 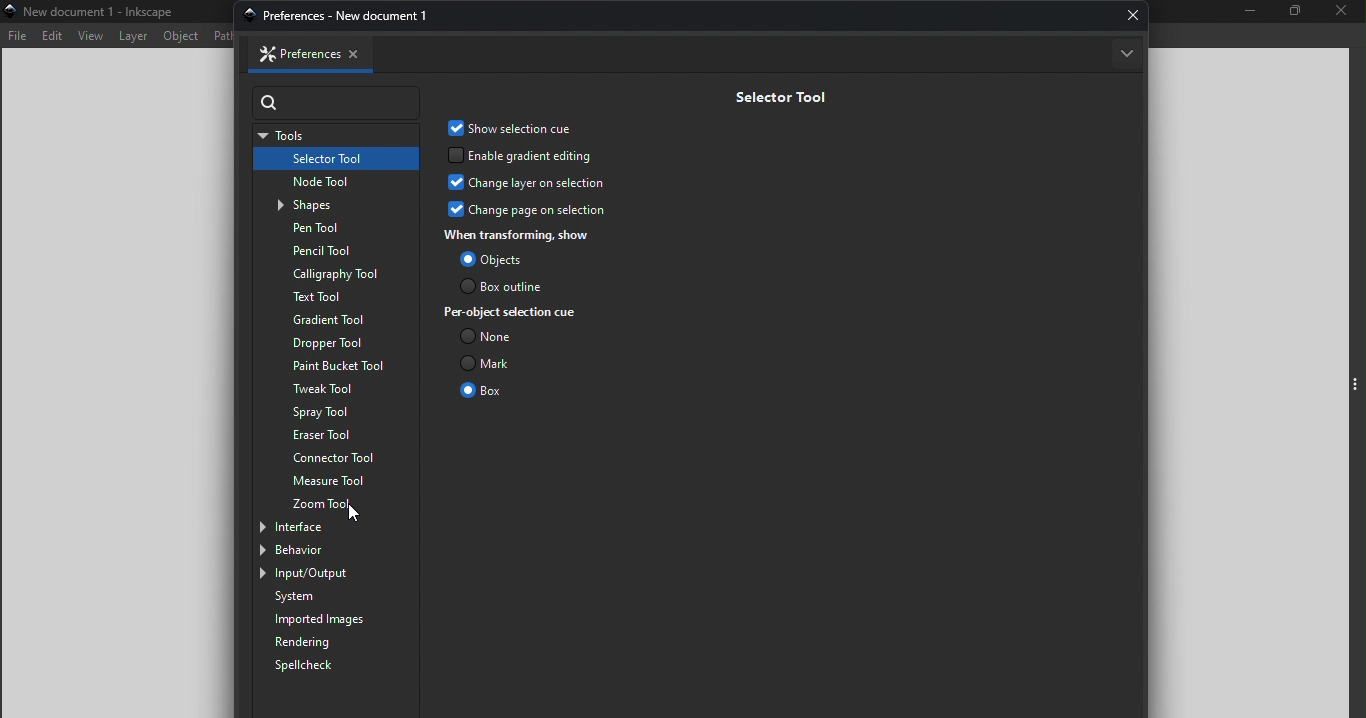 I want to click on Gradient tool, so click(x=326, y=320).